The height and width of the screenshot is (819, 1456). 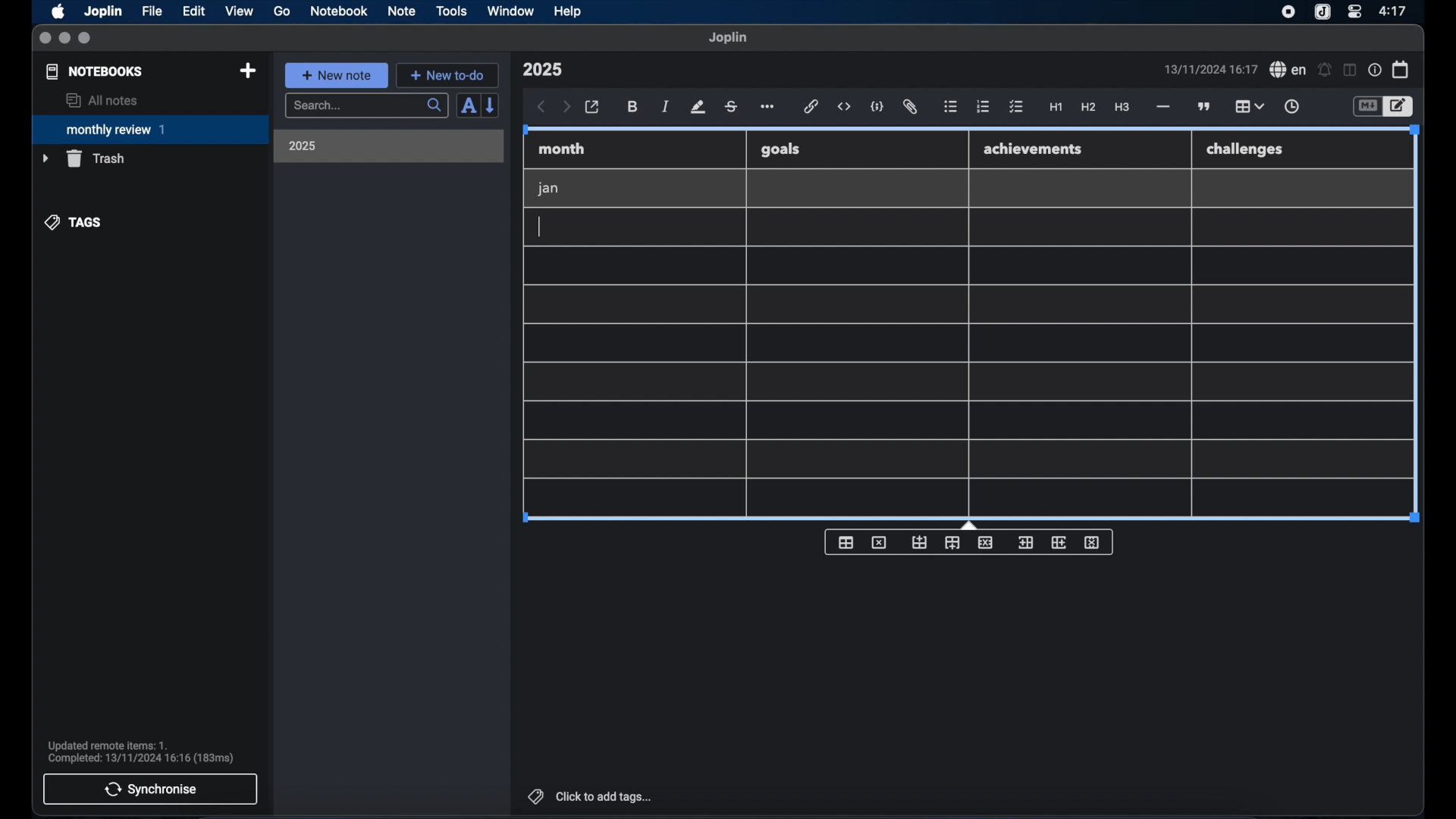 I want to click on insert time, so click(x=1291, y=107).